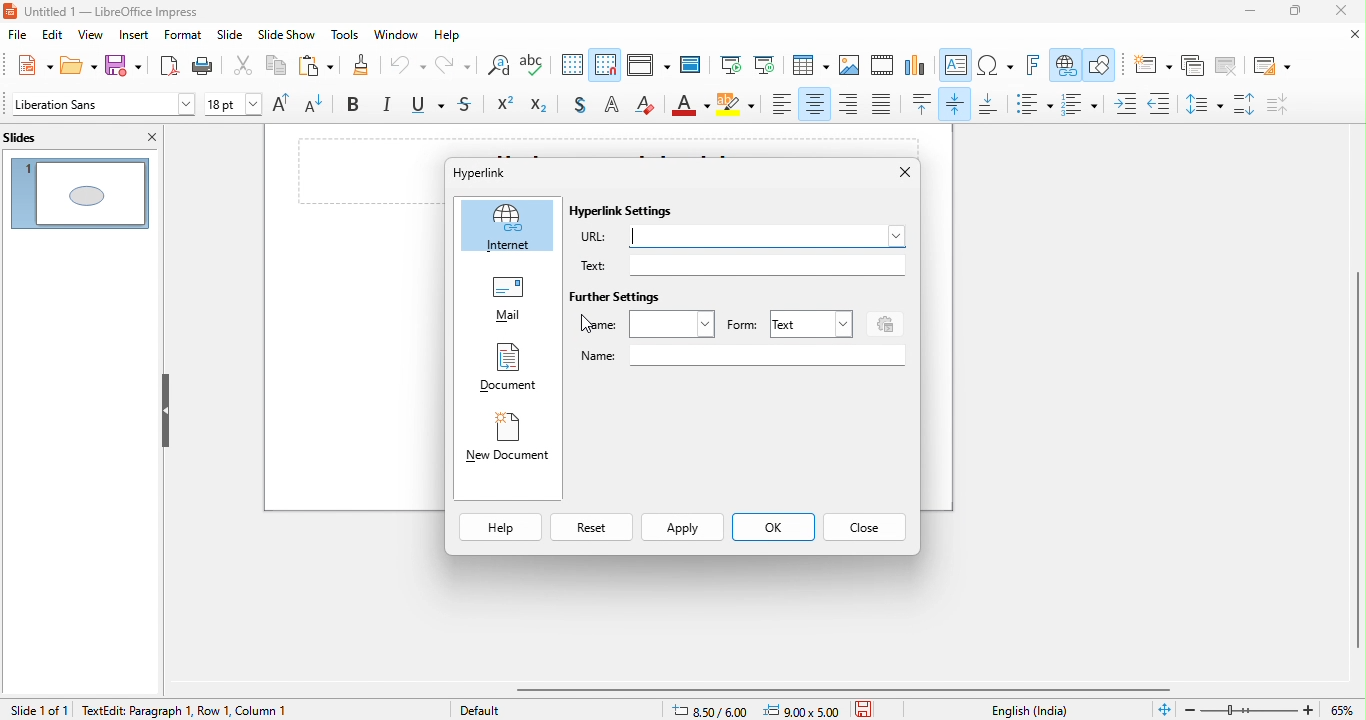 This screenshot has width=1366, height=720. What do you see at coordinates (850, 66) in the screenshot?
I see `image` at bounding box center [850, 66].